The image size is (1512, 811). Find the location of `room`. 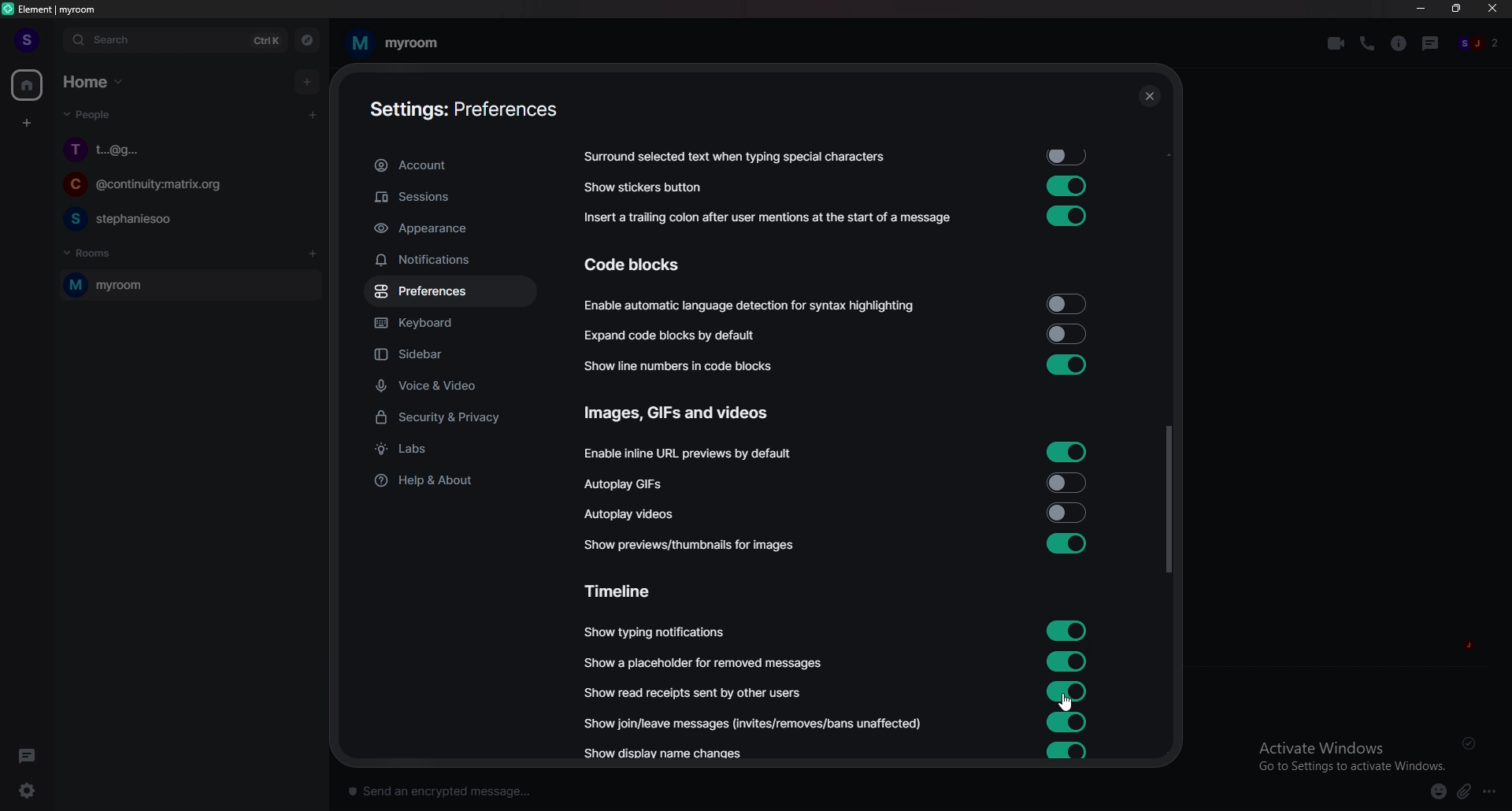

room is located at coordinates (187, 286).